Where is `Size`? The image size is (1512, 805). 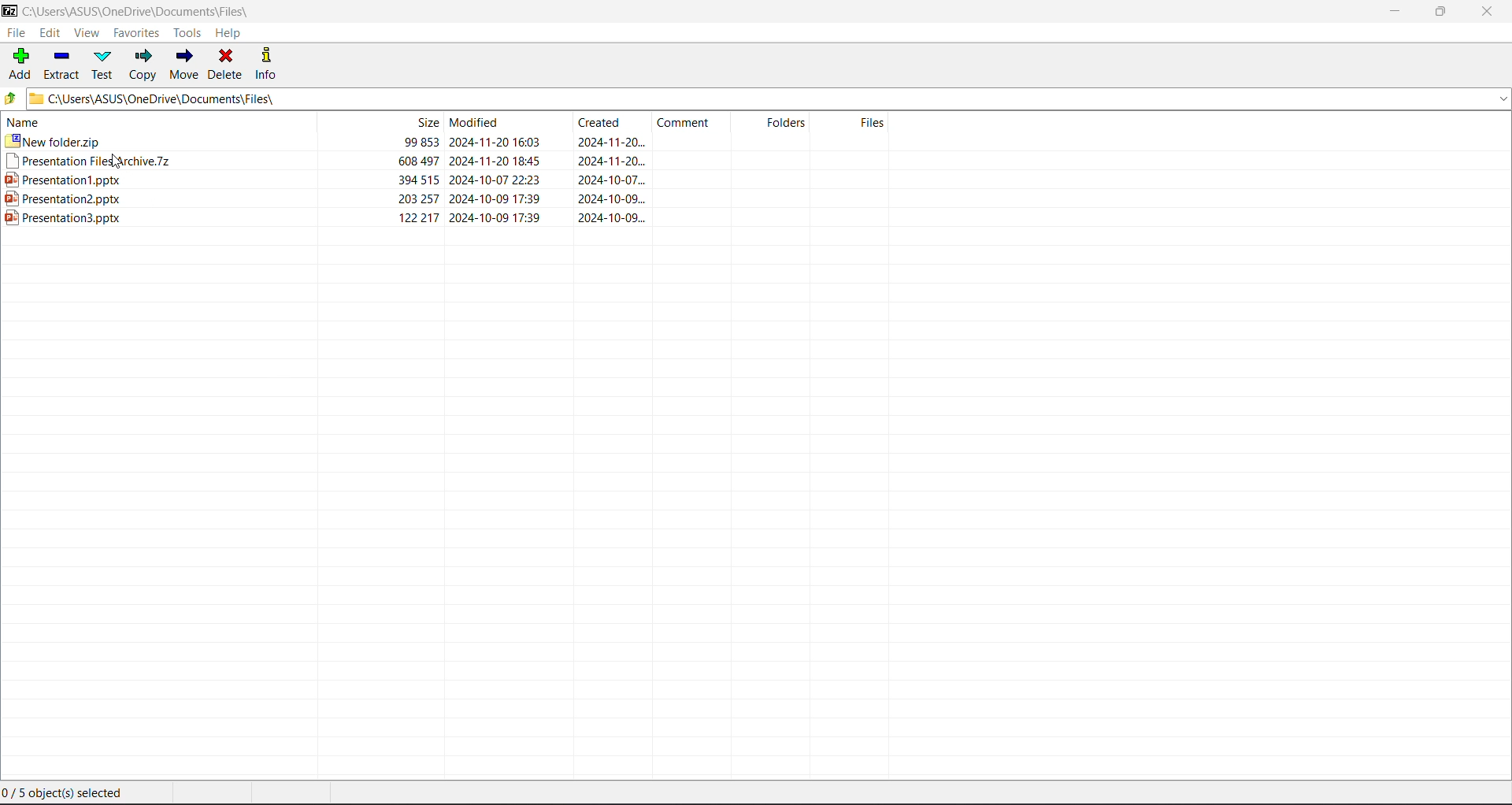
Size is located at coordinates (381, 122).